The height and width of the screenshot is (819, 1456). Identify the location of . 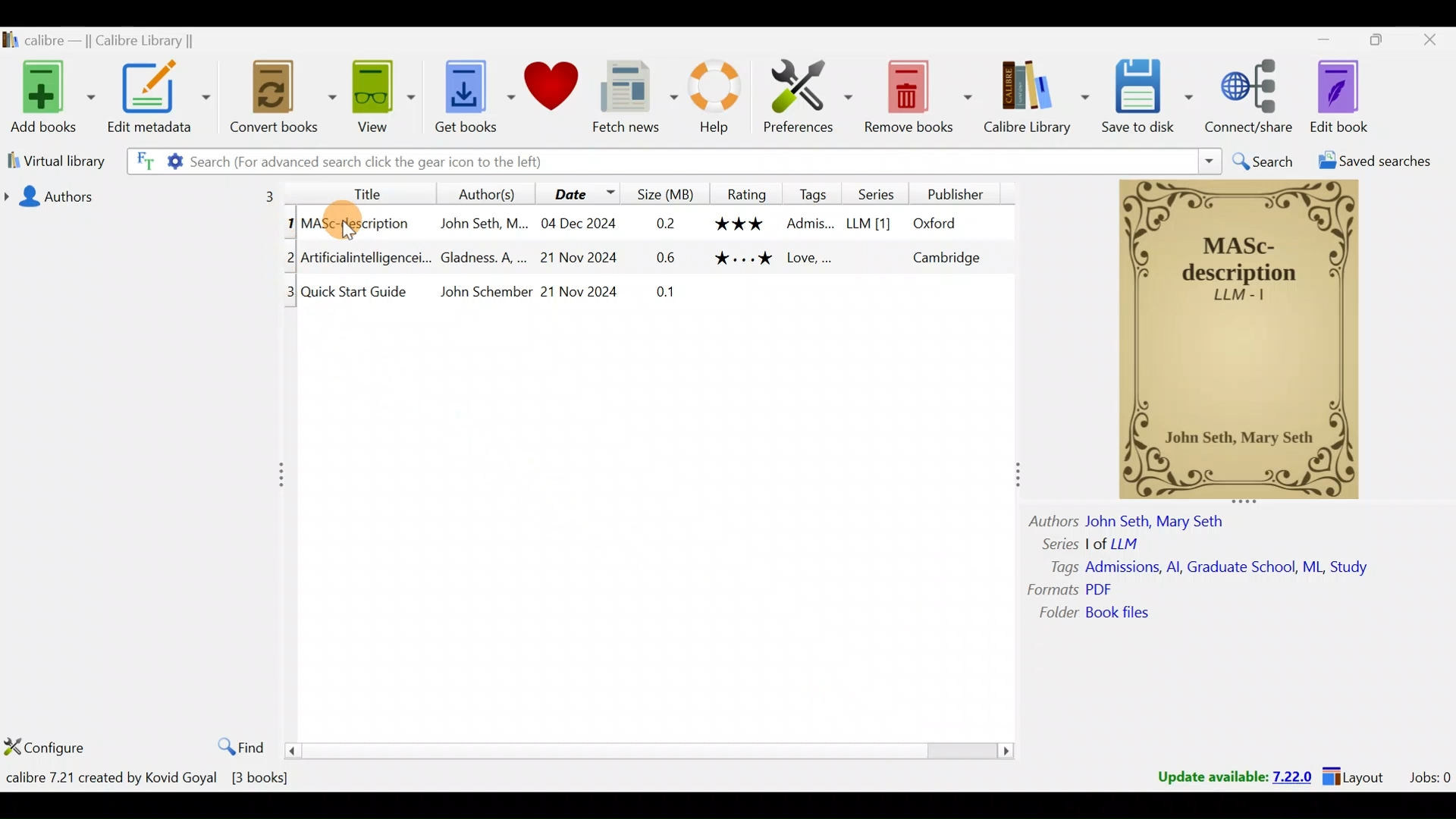
(368, 258).